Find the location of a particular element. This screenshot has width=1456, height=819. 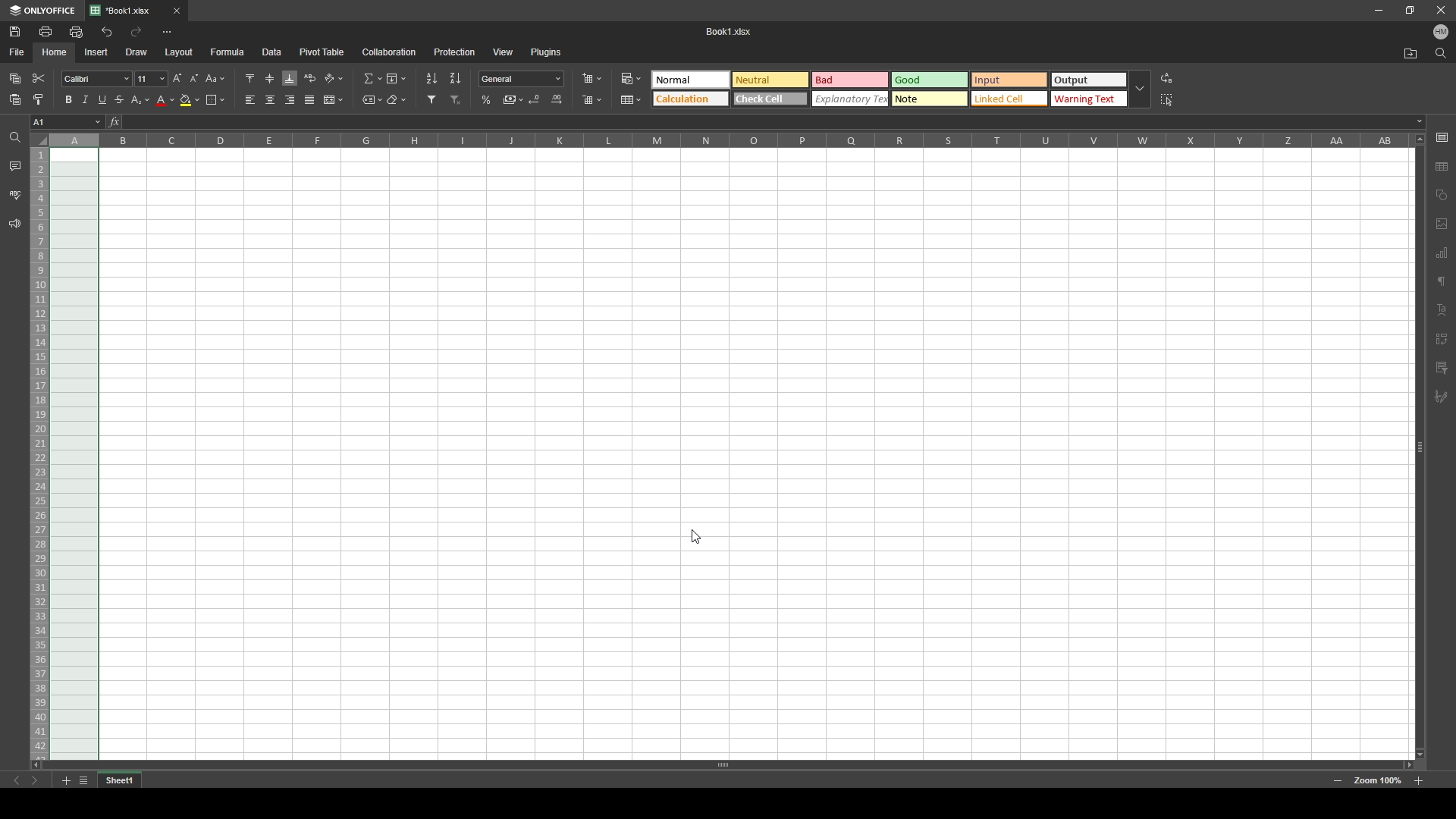

undo is located at coordinates (107, 33).